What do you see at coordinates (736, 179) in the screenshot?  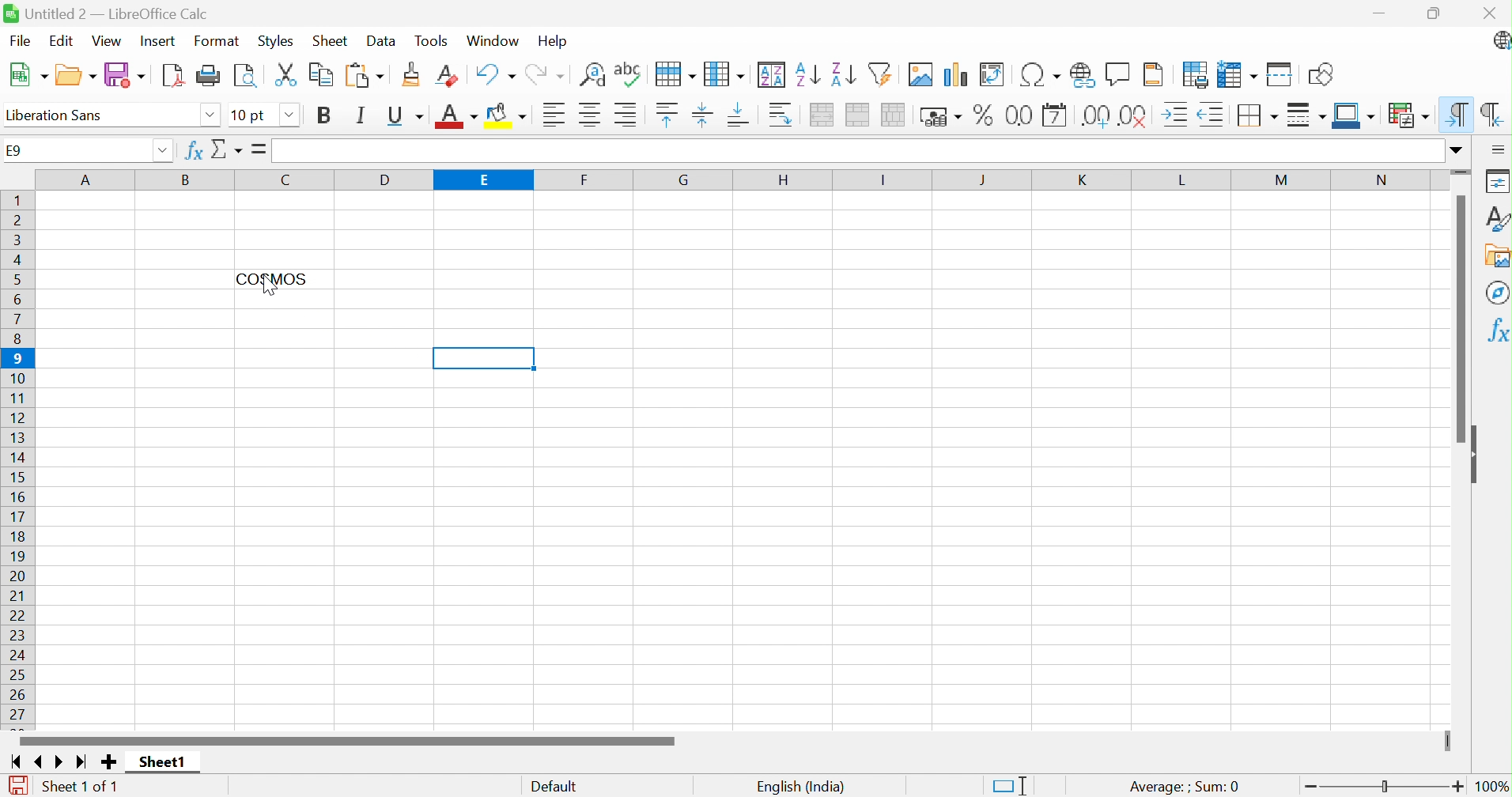 I see `Column names` at bounding box center [736, 179].